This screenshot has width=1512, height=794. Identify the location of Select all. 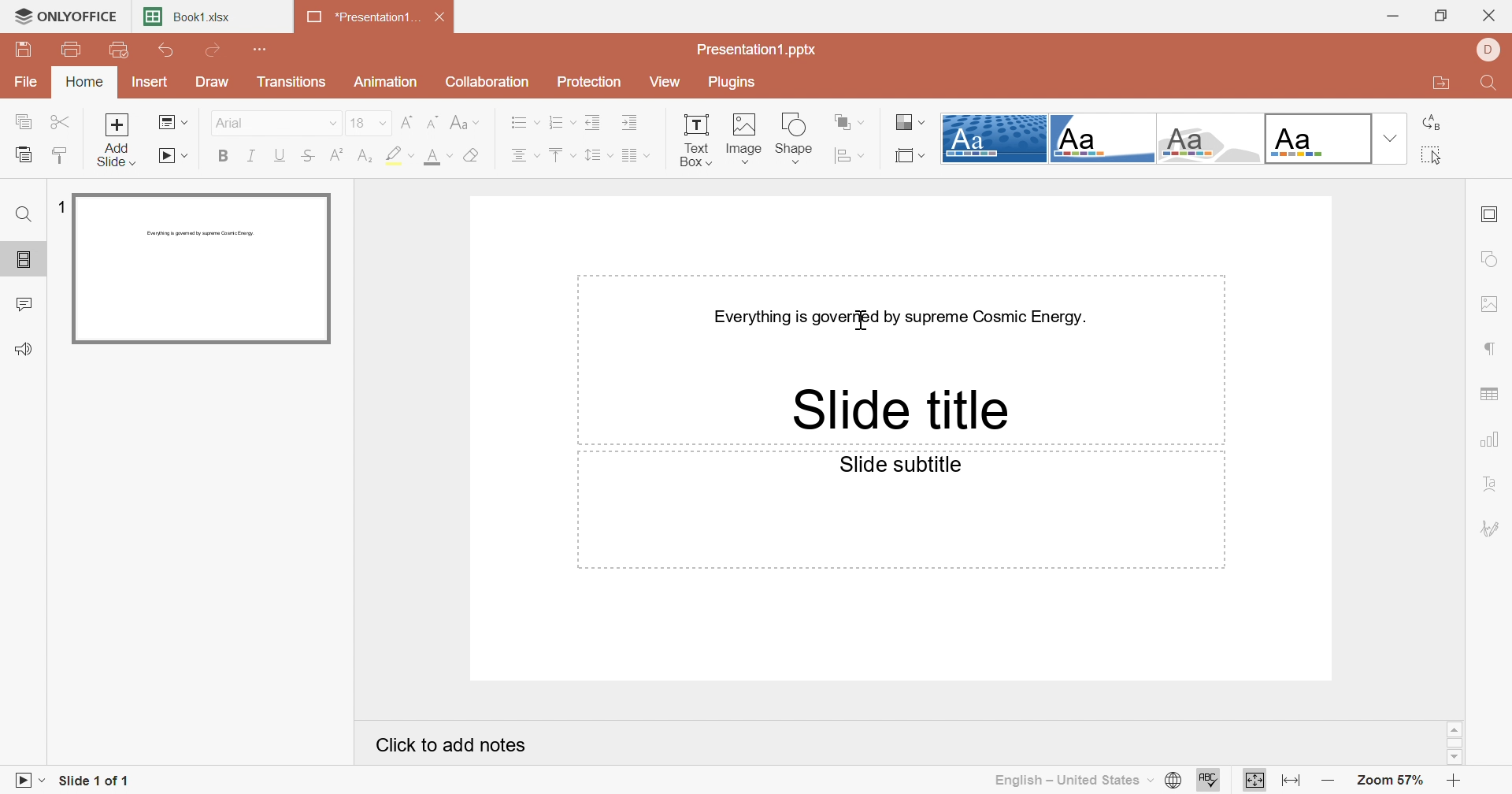
(1436, 155).